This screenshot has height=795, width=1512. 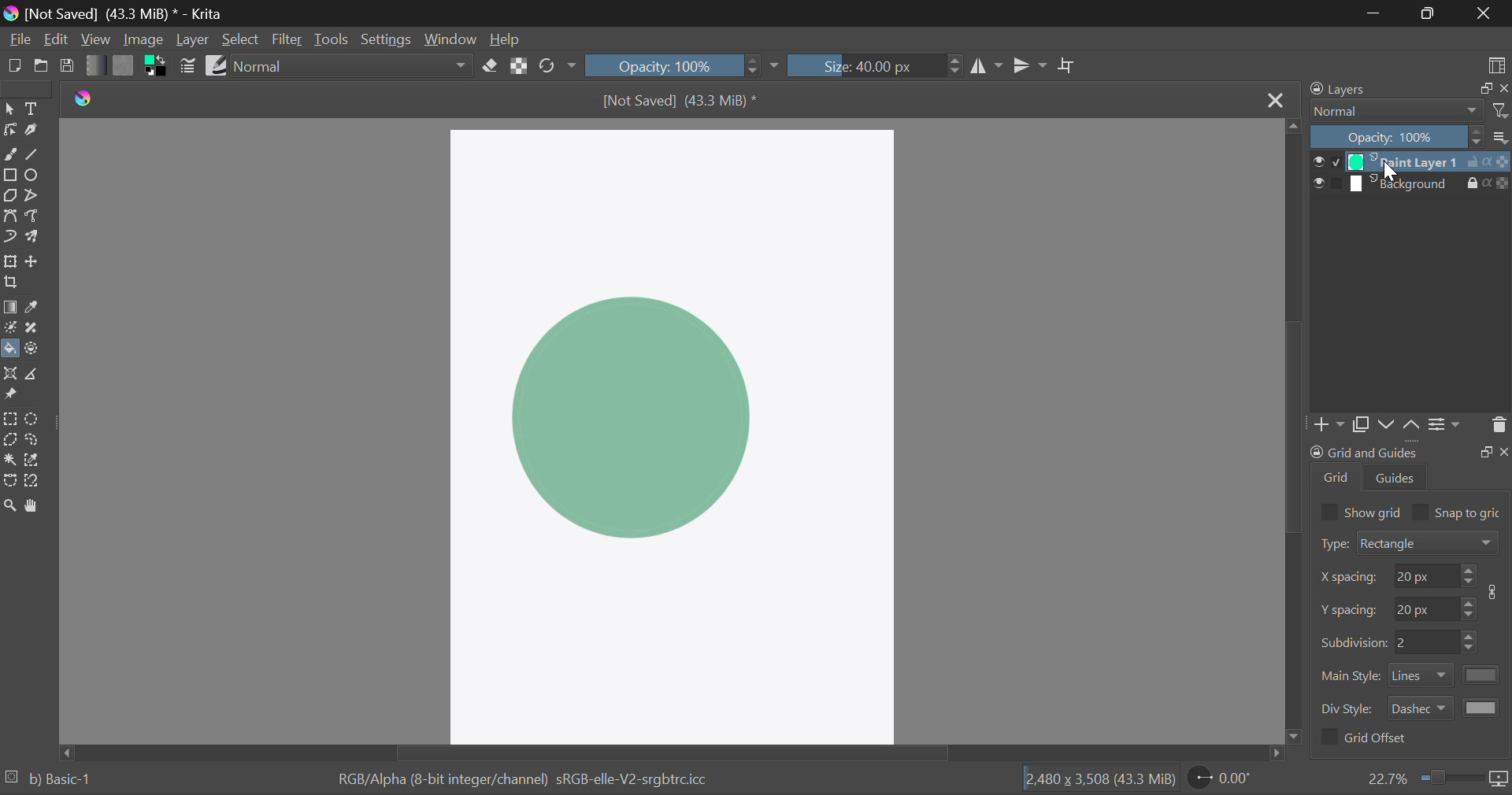 I want to click on Polygon, so click(x=9, y=194).